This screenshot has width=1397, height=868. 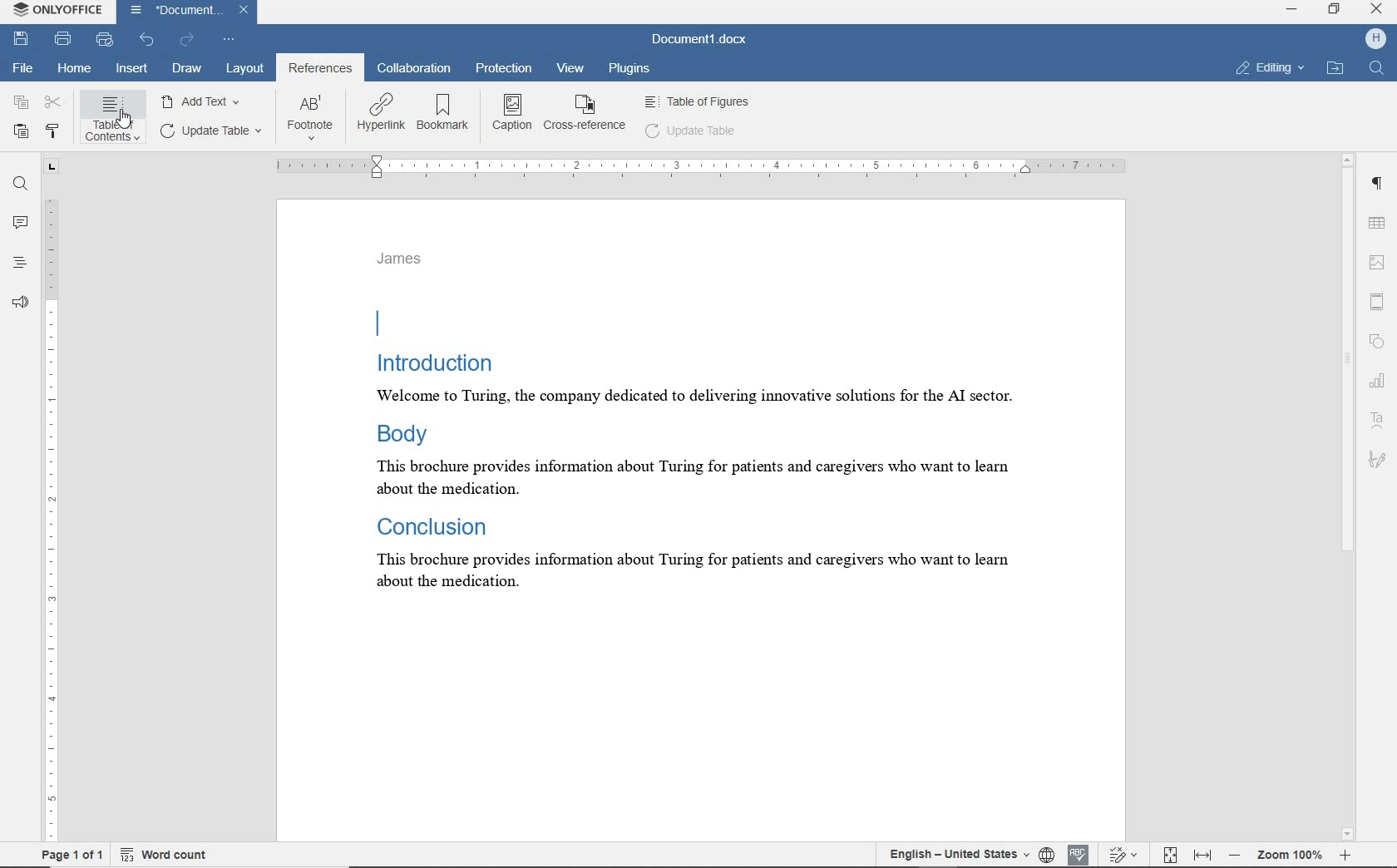 What do you see at coordinates (148, 40) in the screenshot?
I see `undo` at bounding box center [148, 40].